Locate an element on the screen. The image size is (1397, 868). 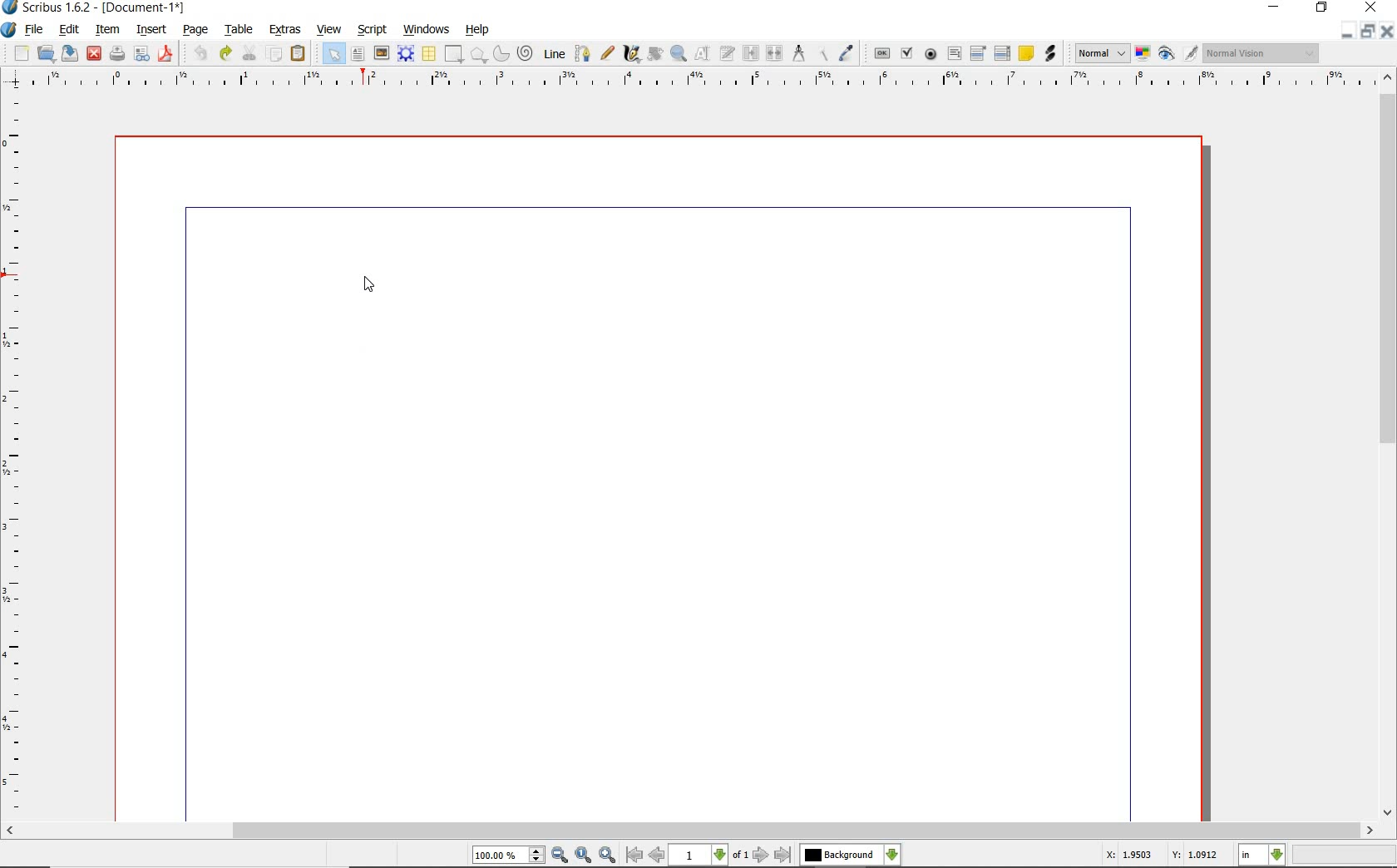
edit is located at coordinates (67, 30).